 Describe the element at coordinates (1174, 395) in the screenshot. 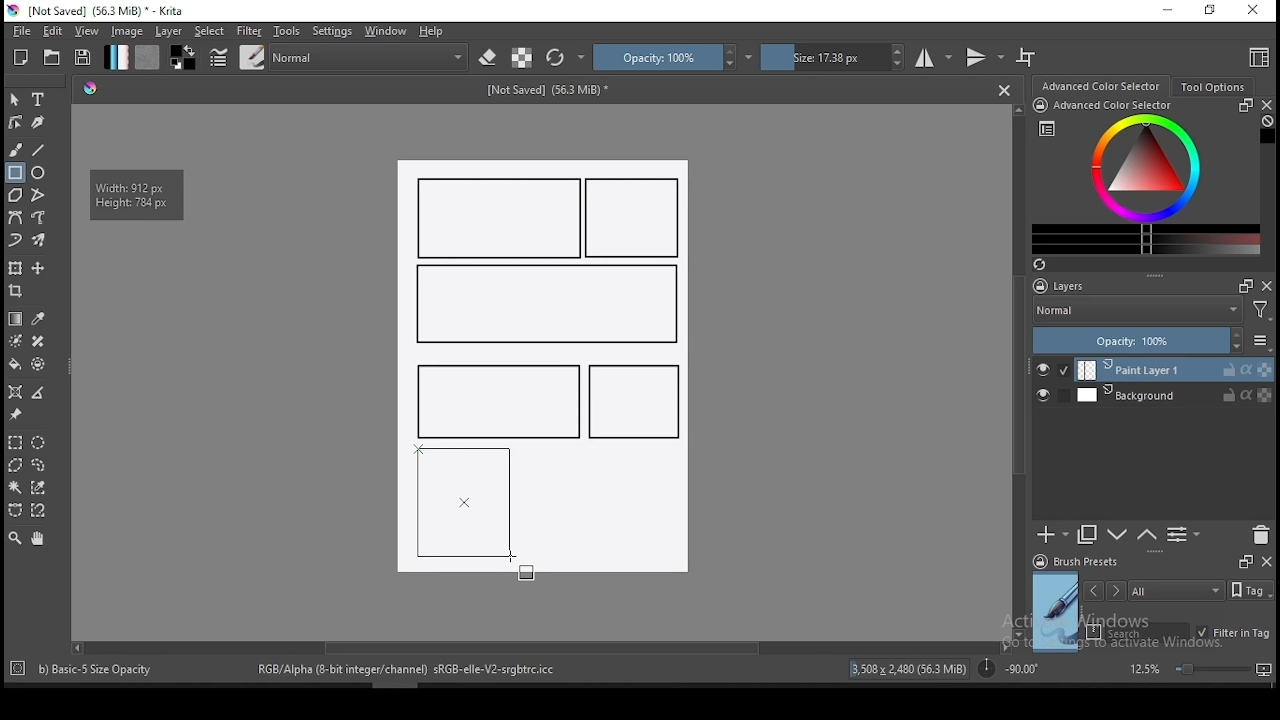

I see `layer` at that location.